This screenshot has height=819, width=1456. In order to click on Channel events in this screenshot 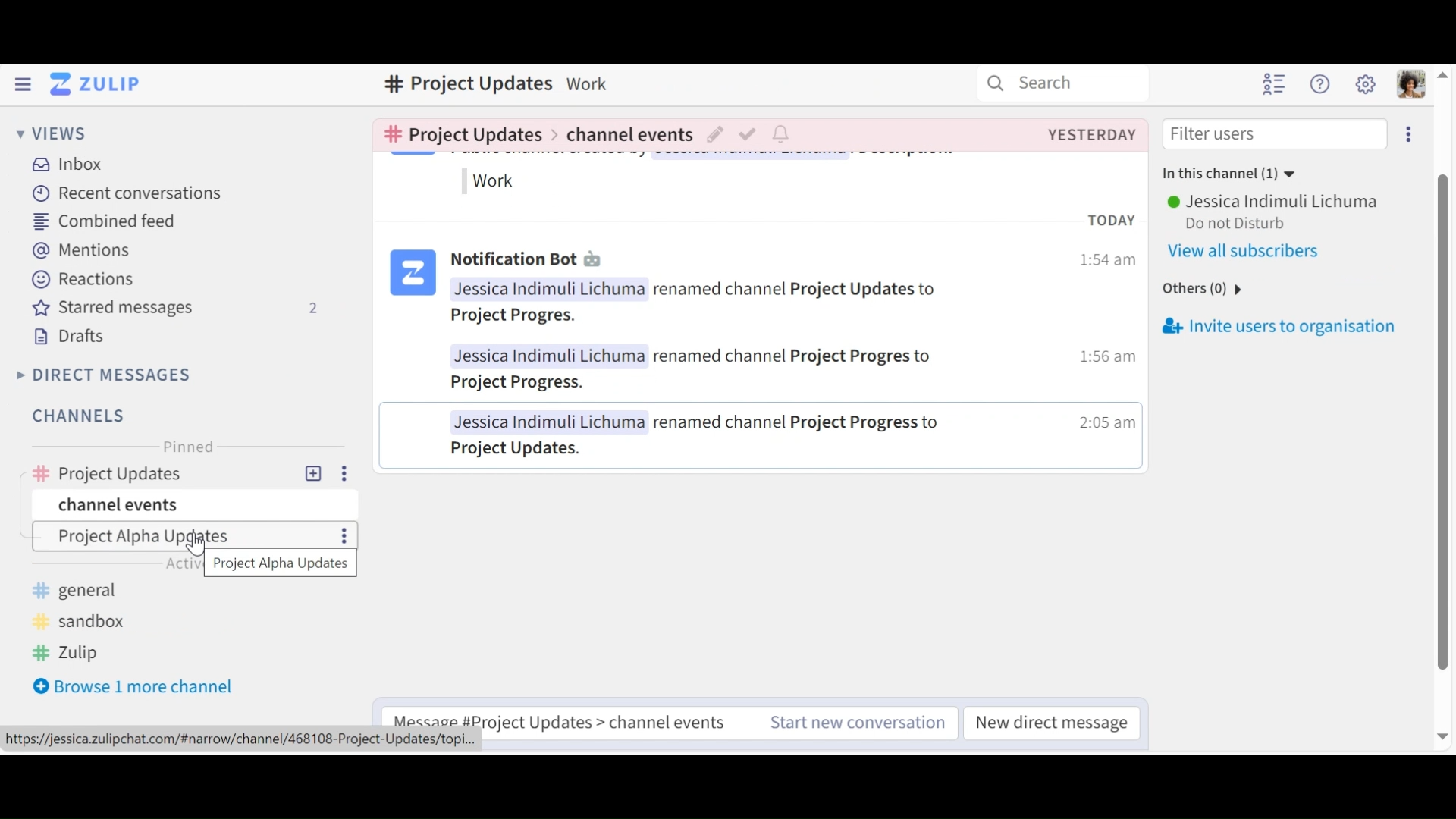, I will do `click(626, 138)`.